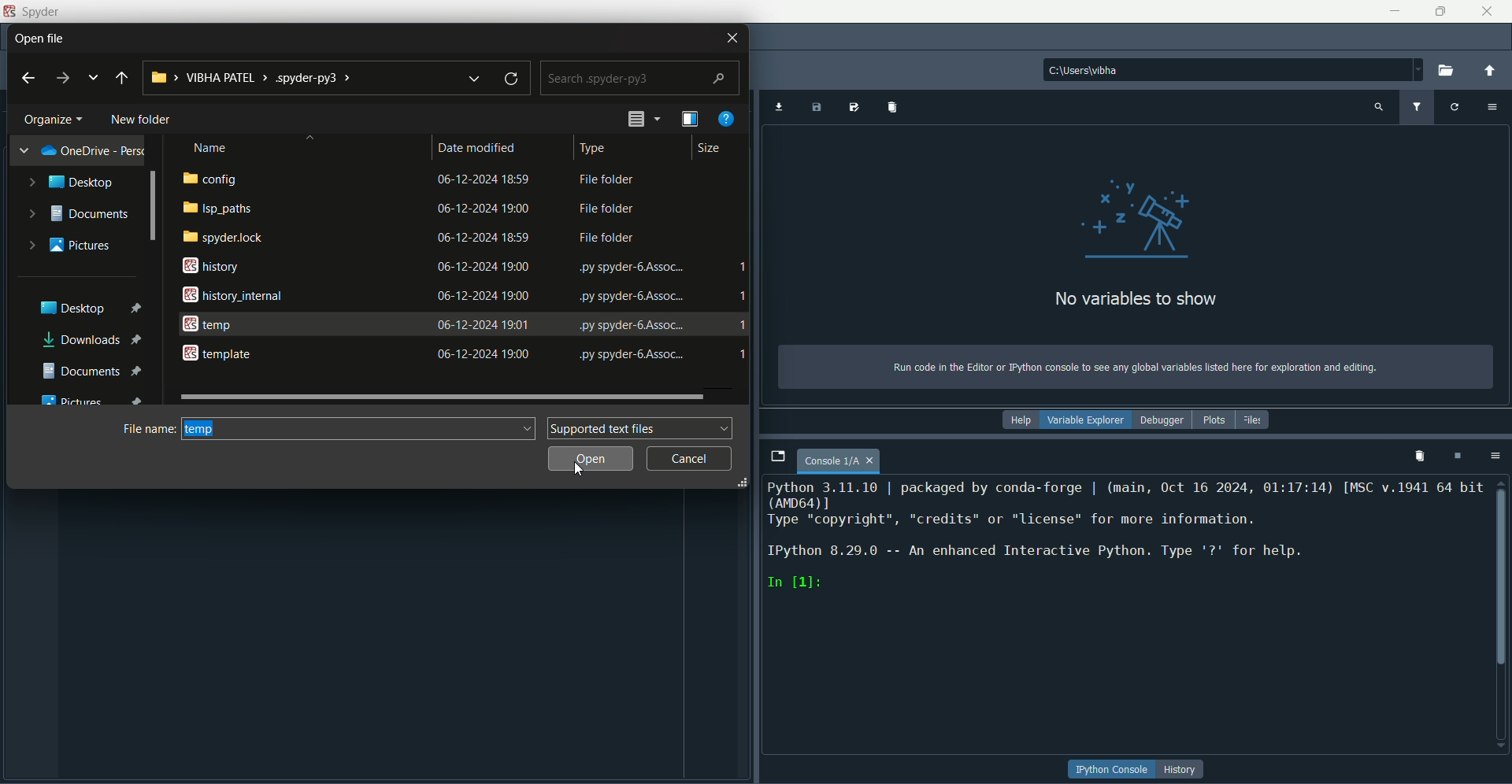 Image resolution: width=1512 pixels, height=784 pixels. I want to click on refresh, so click(513, 77).